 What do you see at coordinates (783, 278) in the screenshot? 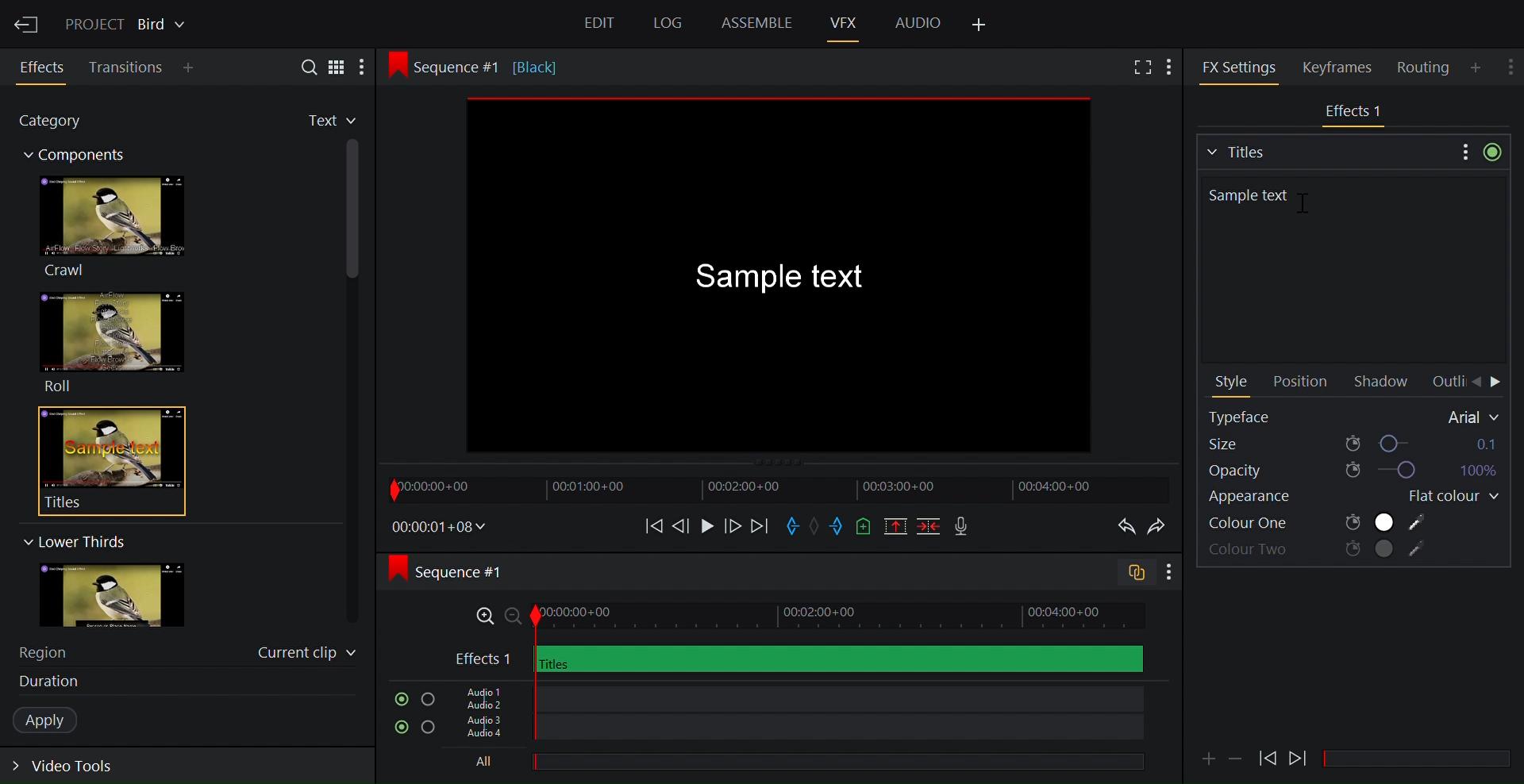
I see `Media Viewer` at bounding box center [783, 278].